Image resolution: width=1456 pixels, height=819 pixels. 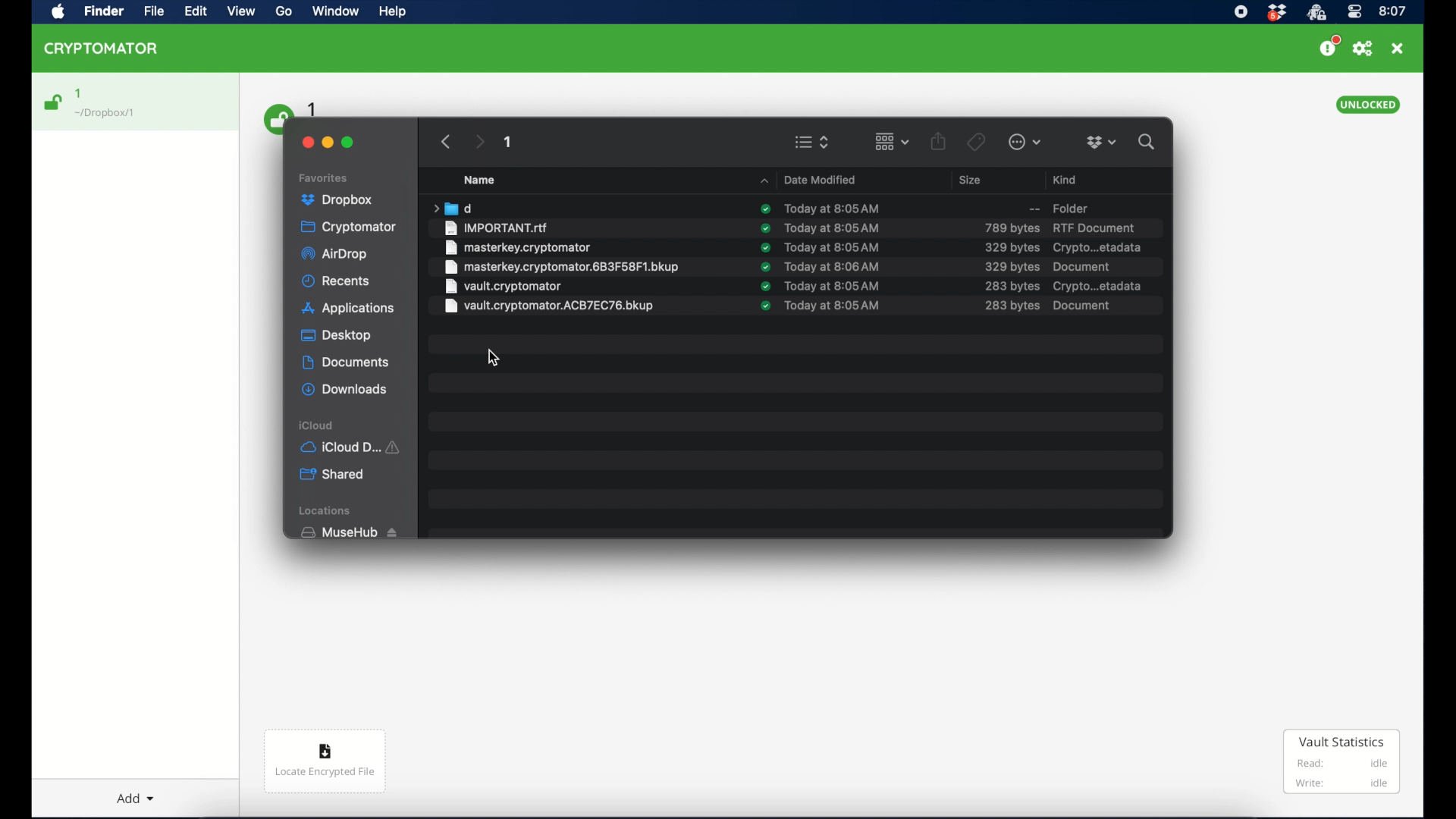 What do you see at coordinates (353, 446) in the screenshot?
I see `iCloud` at bounding box center [353, 446].